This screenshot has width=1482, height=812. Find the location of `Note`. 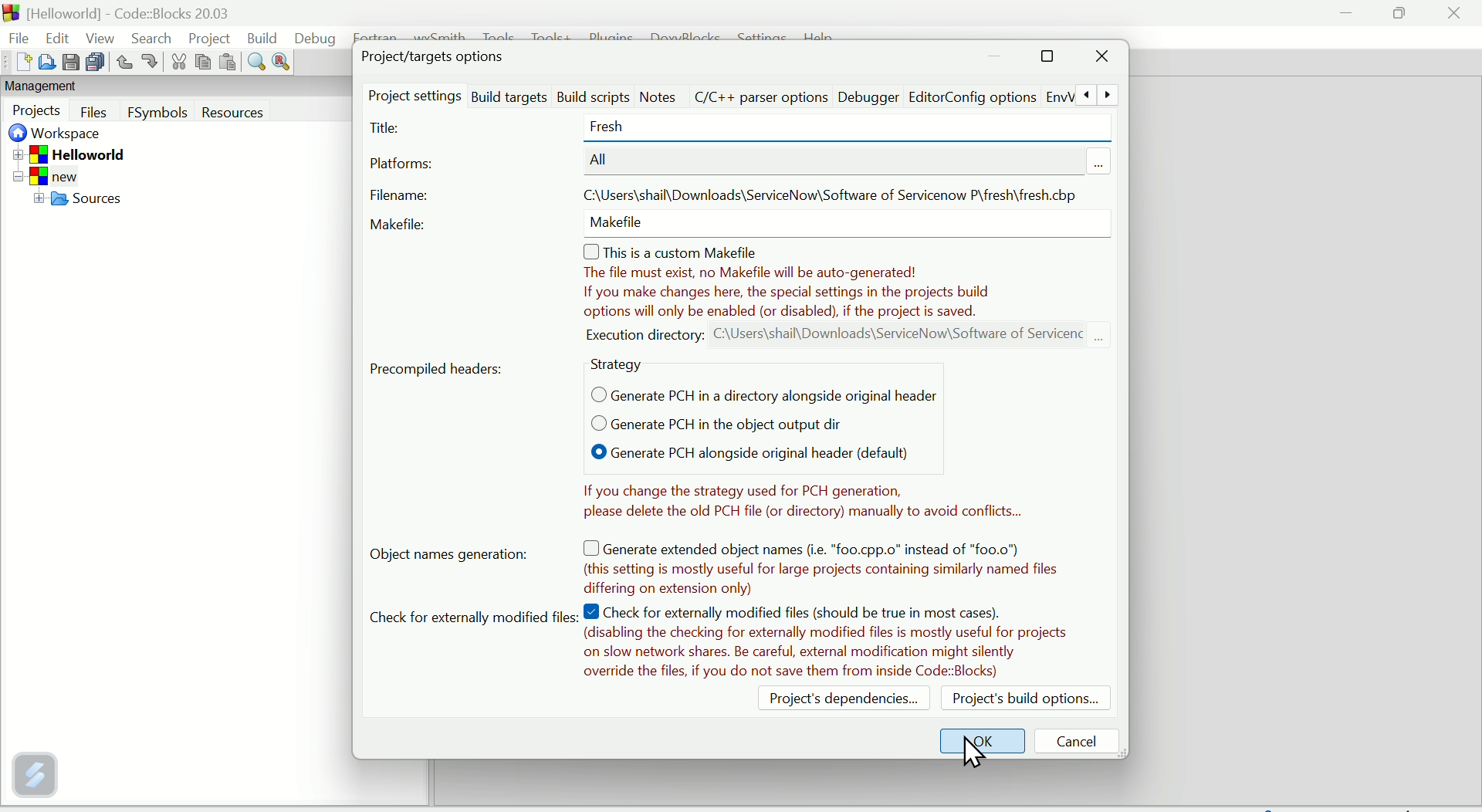

Note is located at coordinates (846, 292).